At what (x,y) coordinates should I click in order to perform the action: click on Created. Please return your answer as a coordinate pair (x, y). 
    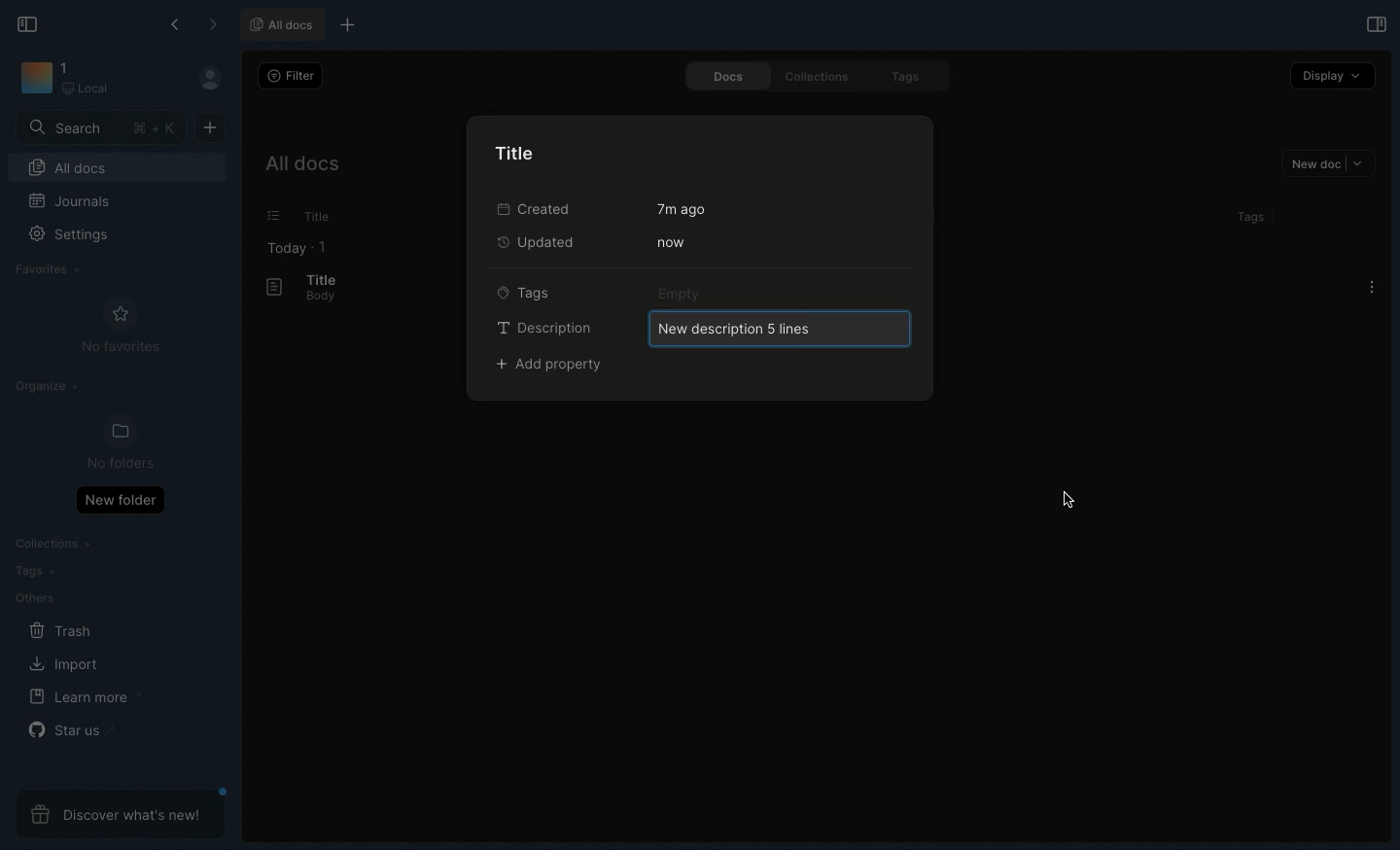
    Looking at the image, I should click on (531, 208).